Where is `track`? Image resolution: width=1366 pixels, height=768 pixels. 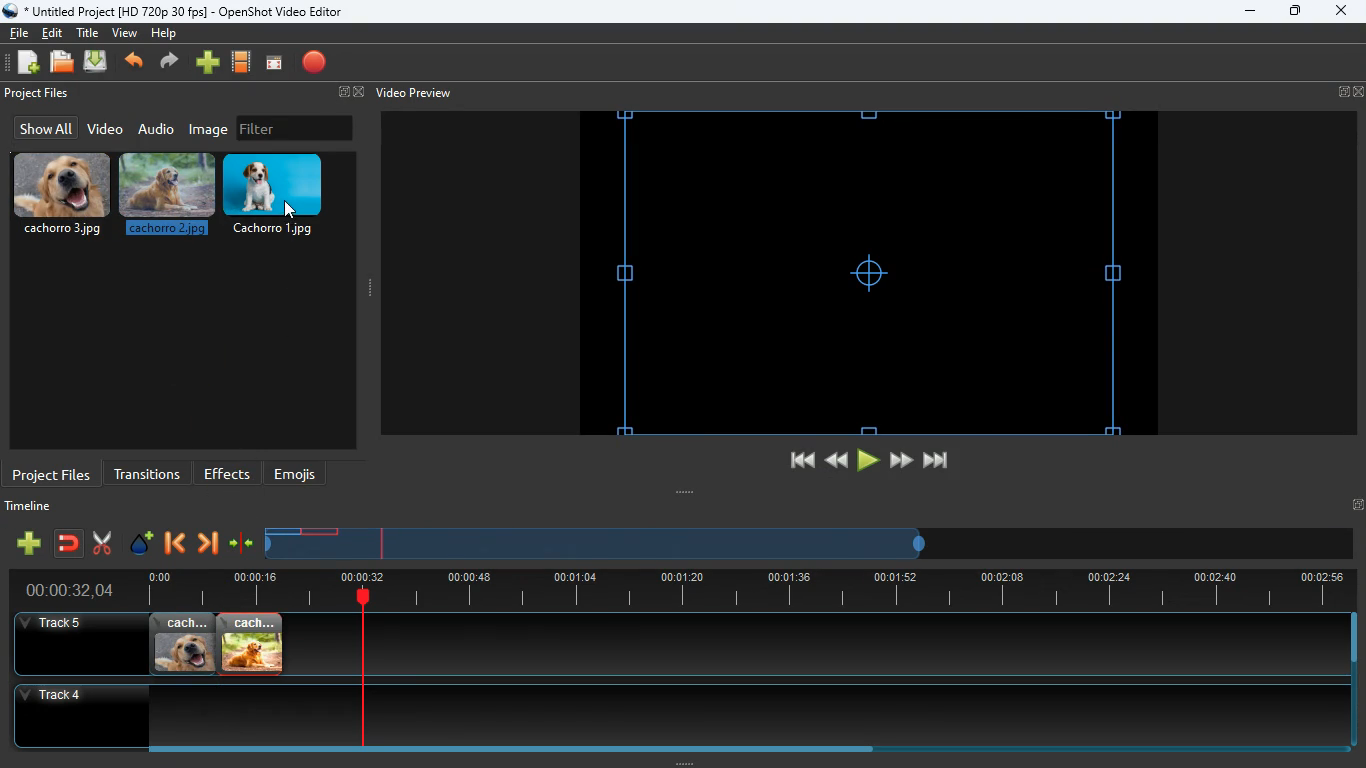
track is located at coordinates (791, 644).